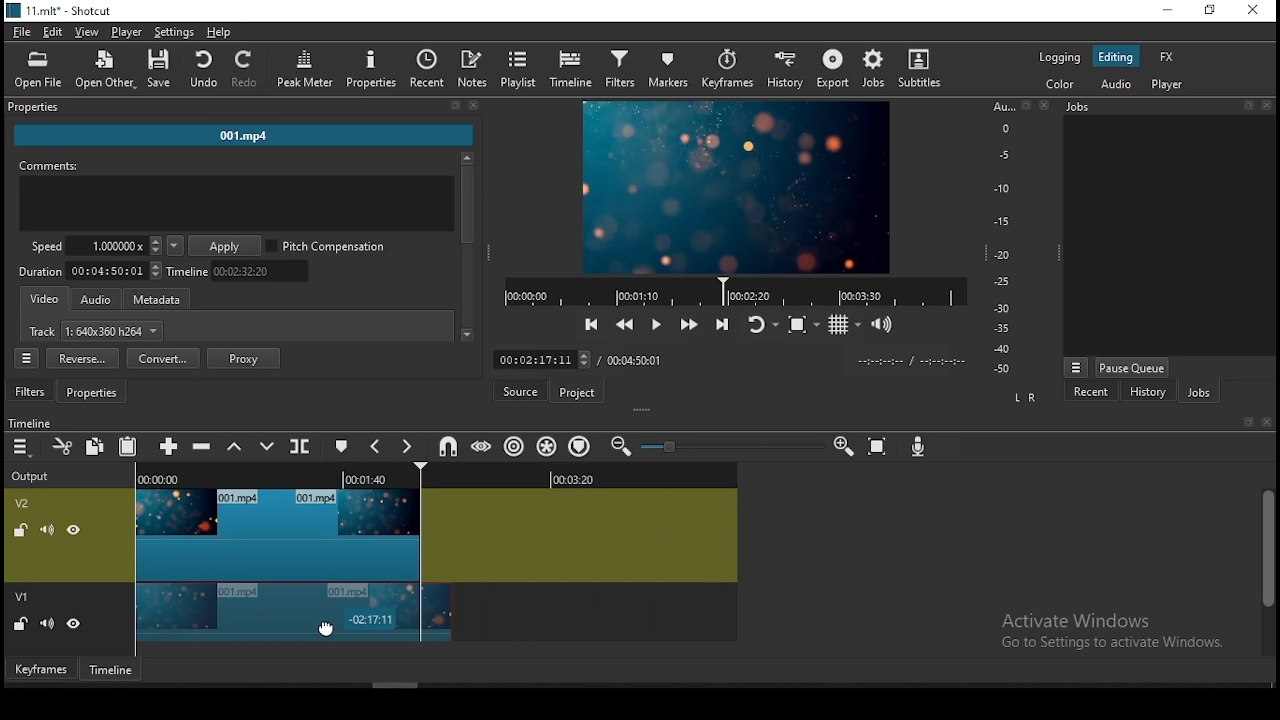 The width and height of the screenshot is (1280, 720). I want to click on track duration, so click(91, 270).